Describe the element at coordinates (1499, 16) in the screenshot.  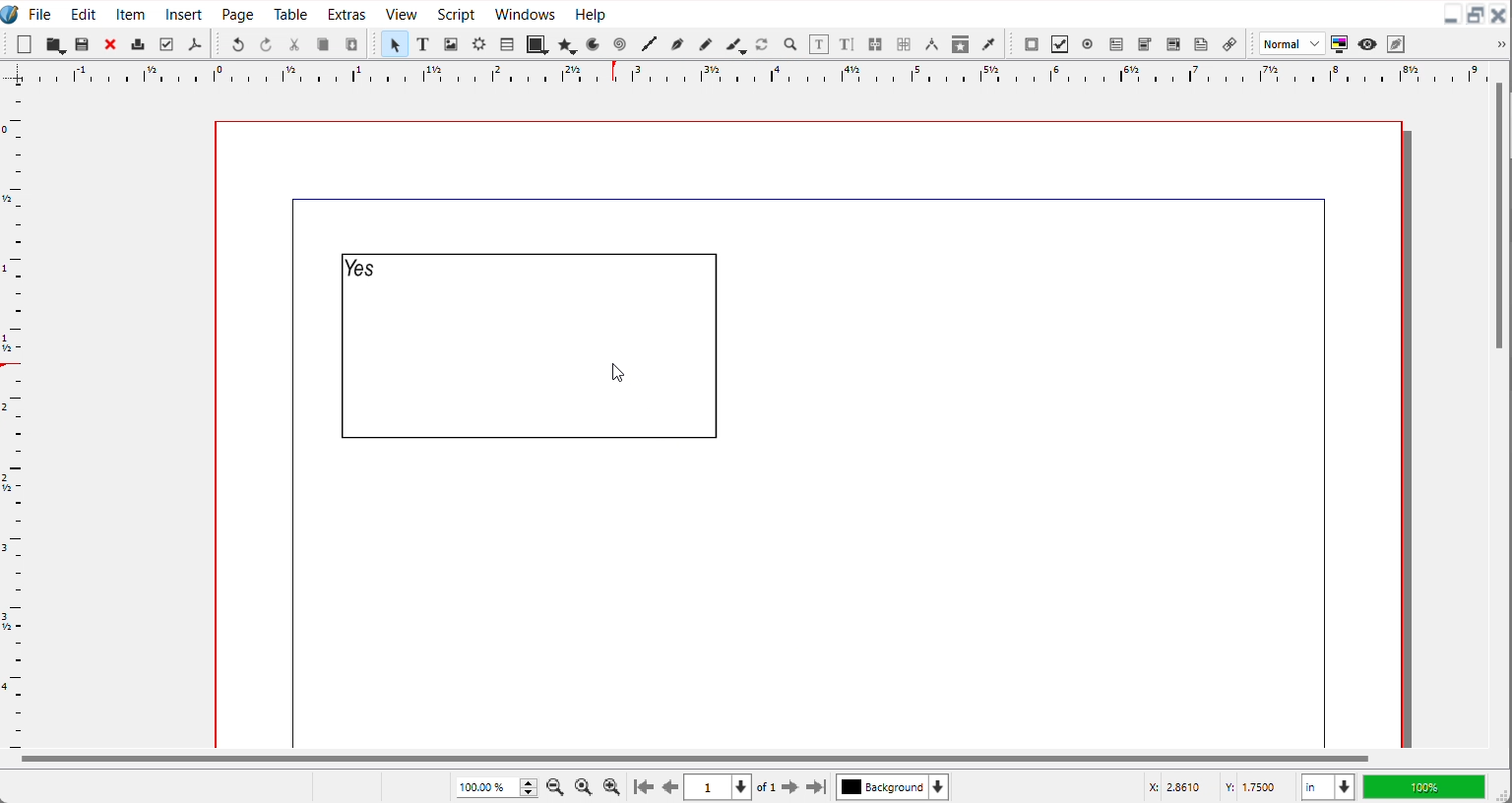
I see `Close` at that location.